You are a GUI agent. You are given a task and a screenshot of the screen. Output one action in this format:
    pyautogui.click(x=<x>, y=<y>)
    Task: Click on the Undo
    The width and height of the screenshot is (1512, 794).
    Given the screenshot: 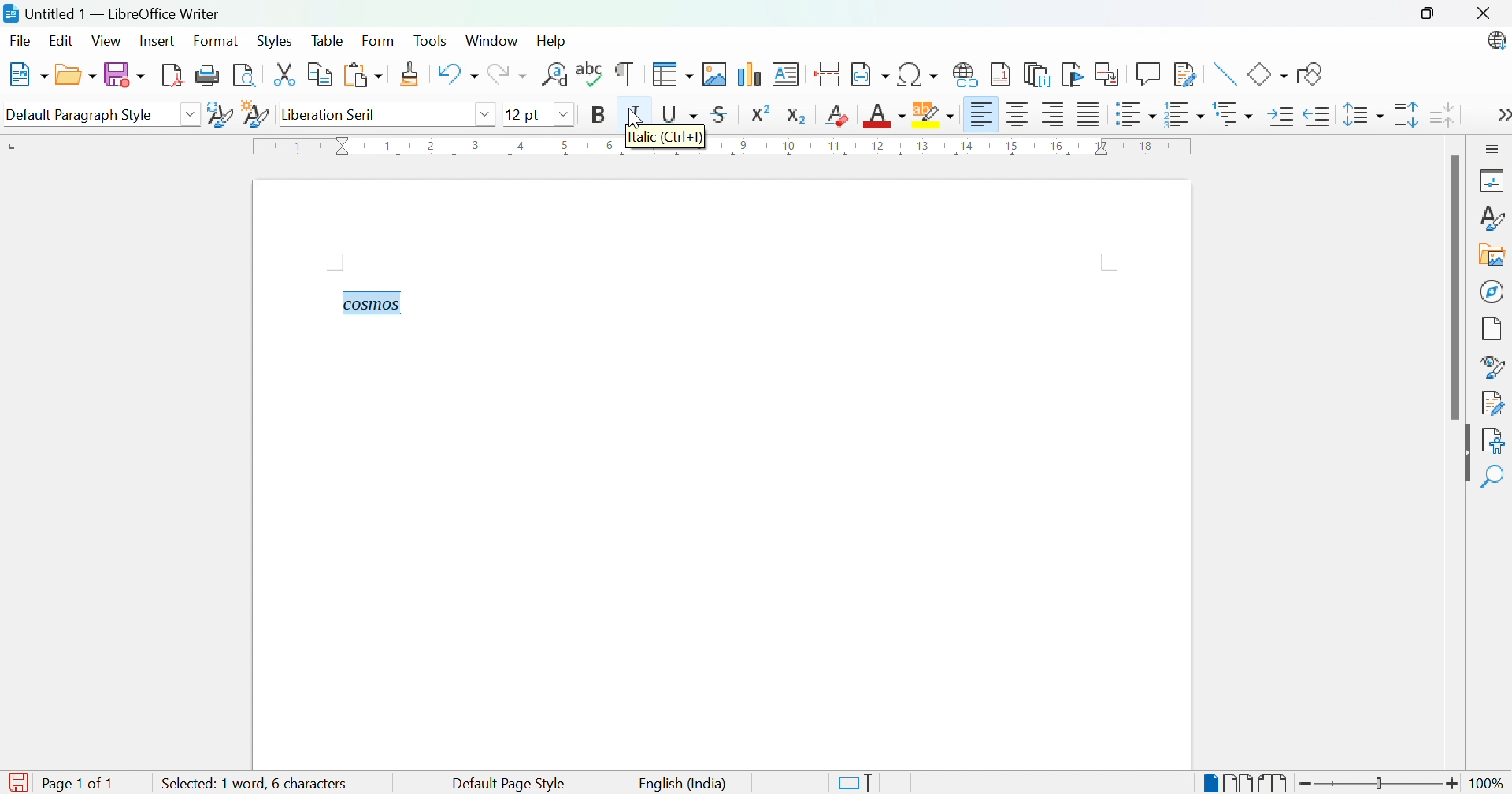 What is the action you would take?
    pyautogui.click(x=458, y=73)
    